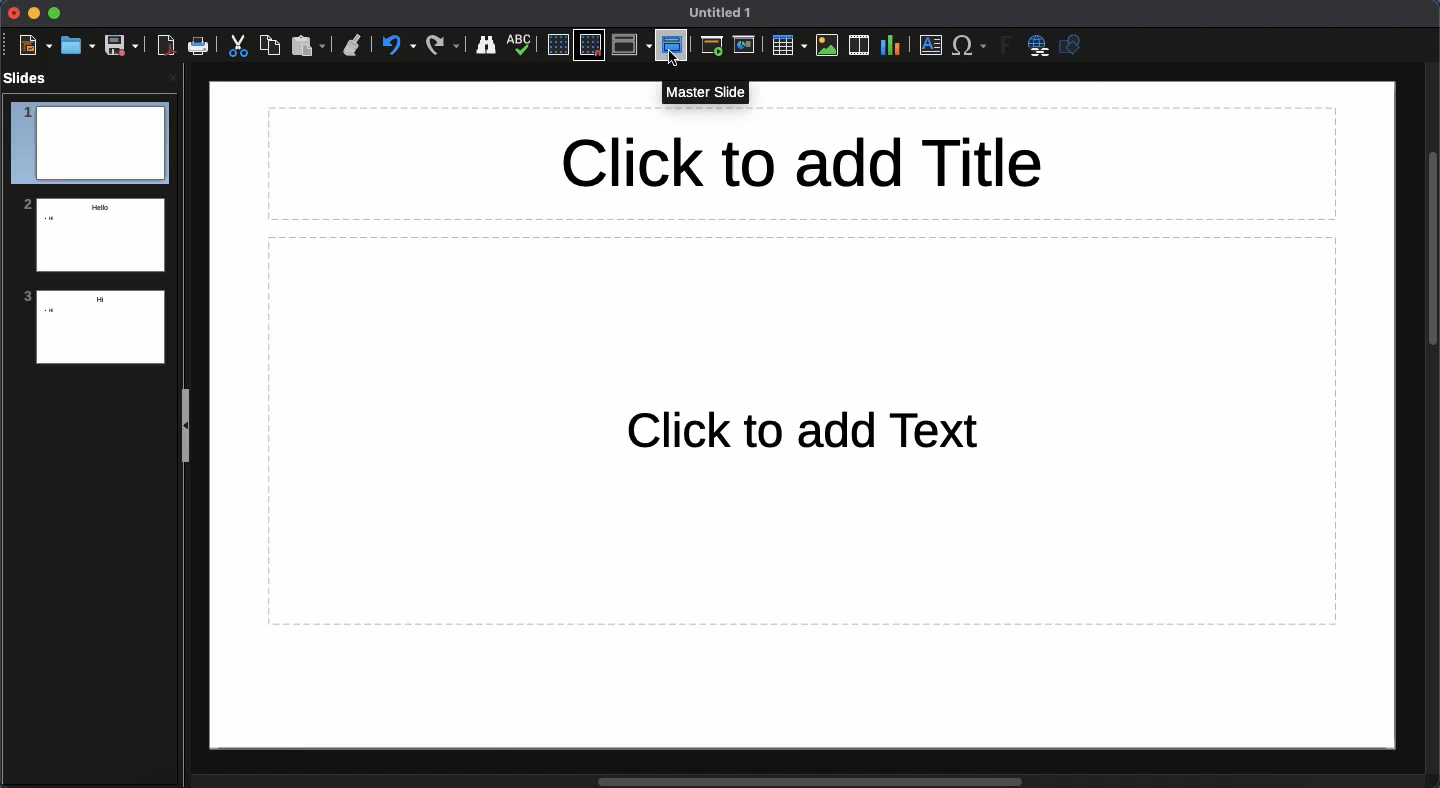 The image size is (1440, 788). Describe the element at coordinates (1074, 45) in the screenshot. I see `Shapres` at that location.